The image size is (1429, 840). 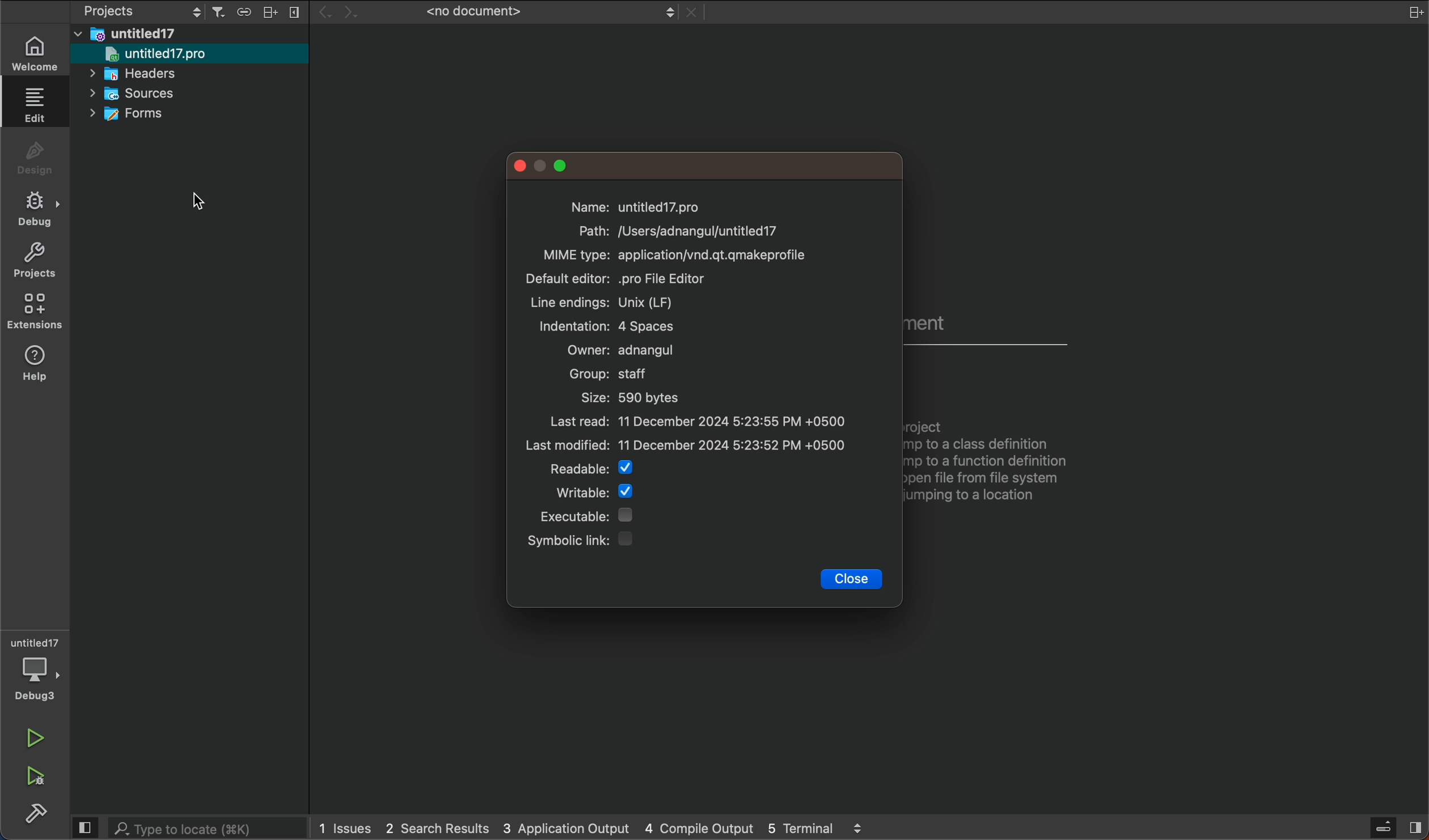 I want to click on untitled 17 pro, so click(x=181, y=55).